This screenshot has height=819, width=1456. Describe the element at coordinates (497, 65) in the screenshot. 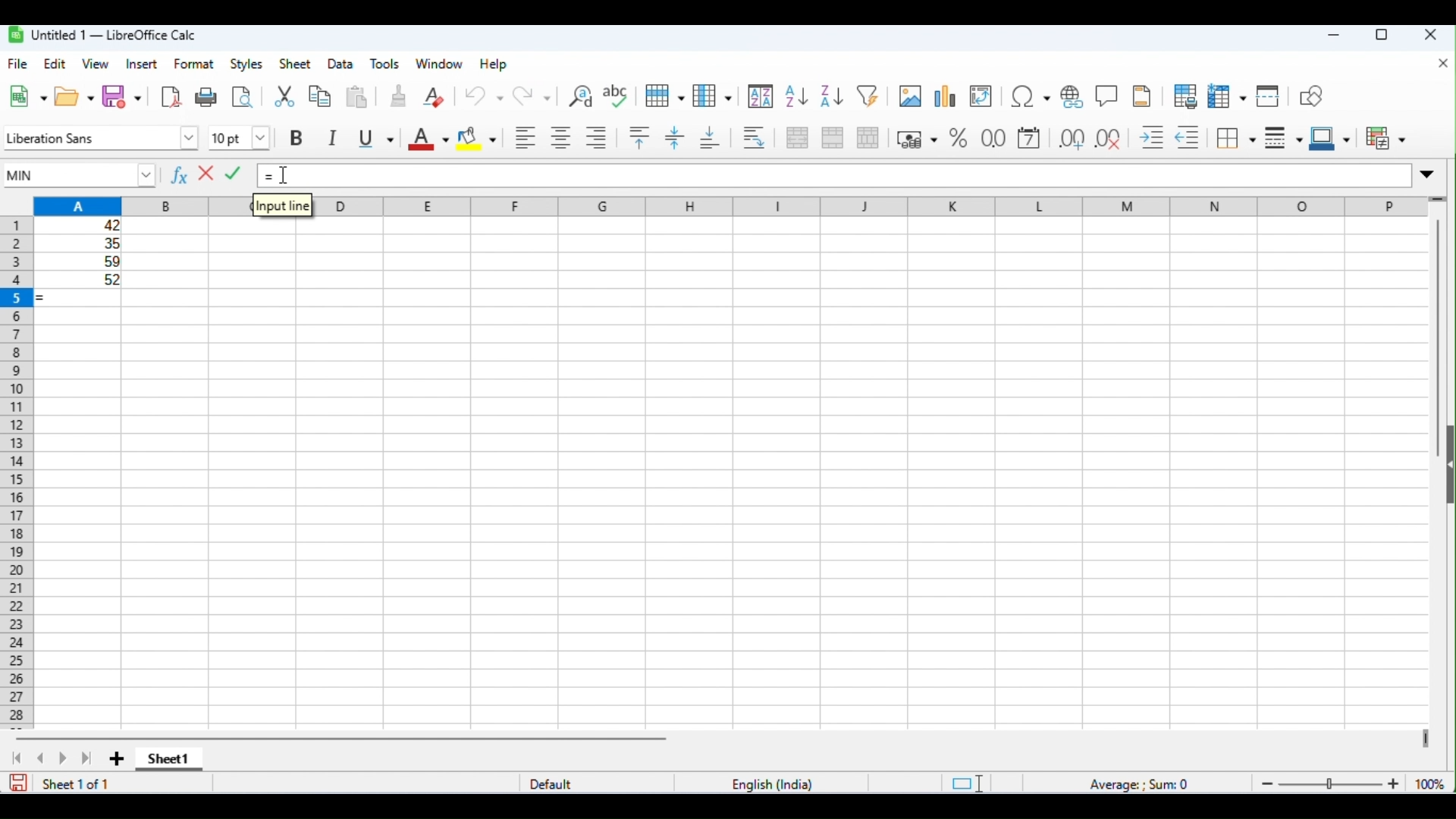

I see `help` at that location.